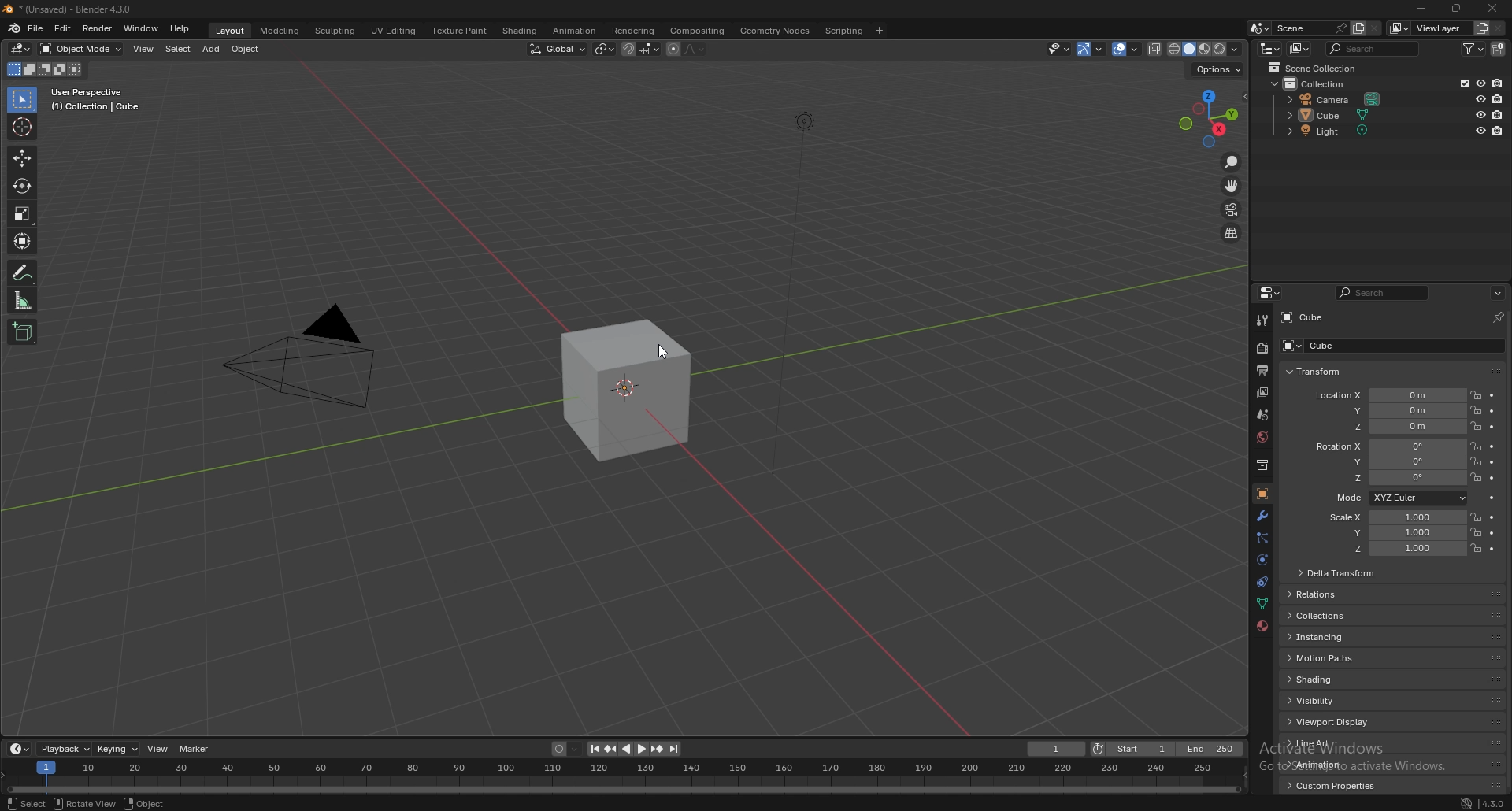 This screenshot has height=811, width=1512. What do you see at coordinates (117, 750) in the screenshot?
I see `keying` at bounding box center [117, 750].